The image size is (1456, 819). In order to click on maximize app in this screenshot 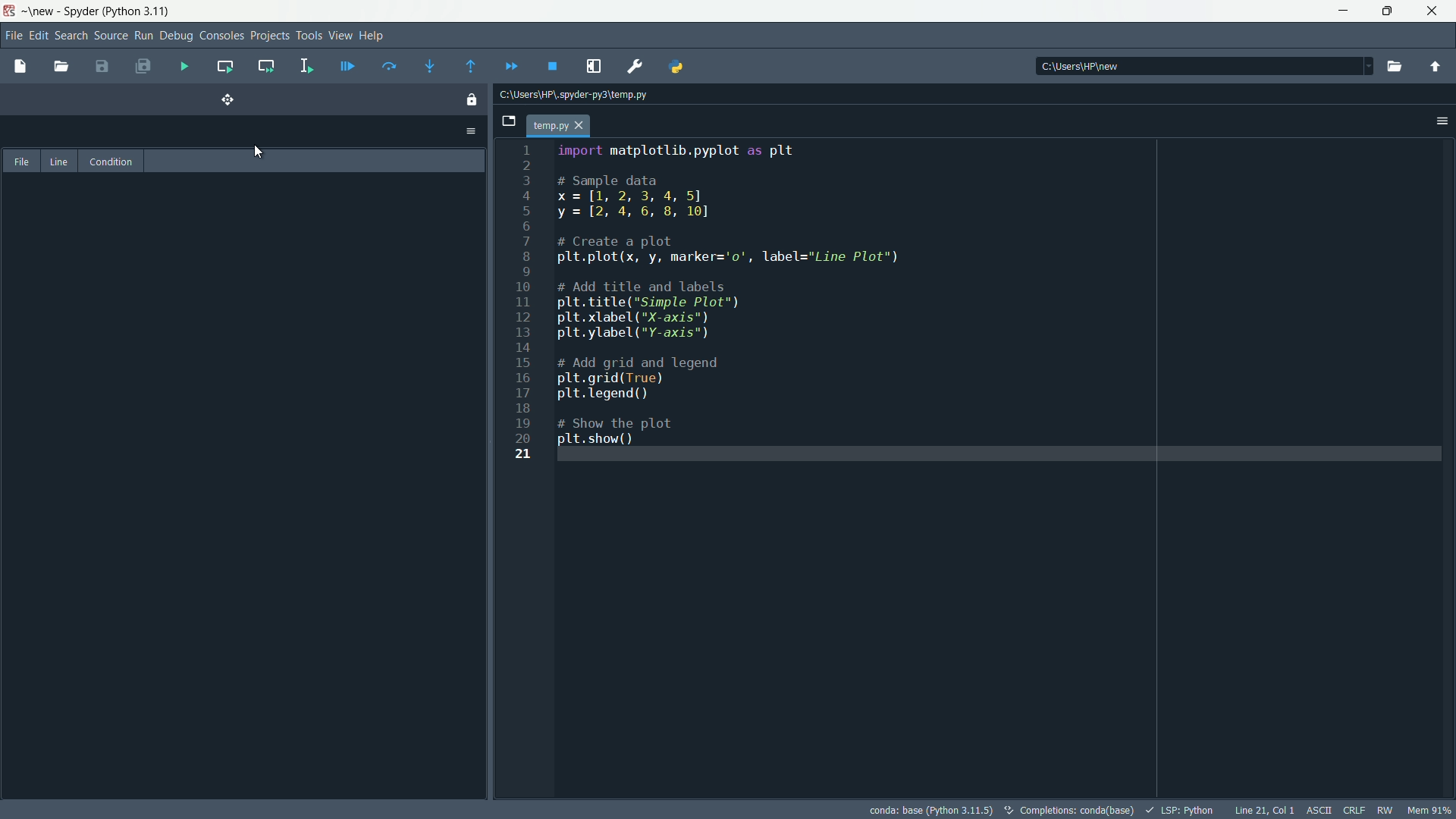, I will do `click(1435, 11)`.